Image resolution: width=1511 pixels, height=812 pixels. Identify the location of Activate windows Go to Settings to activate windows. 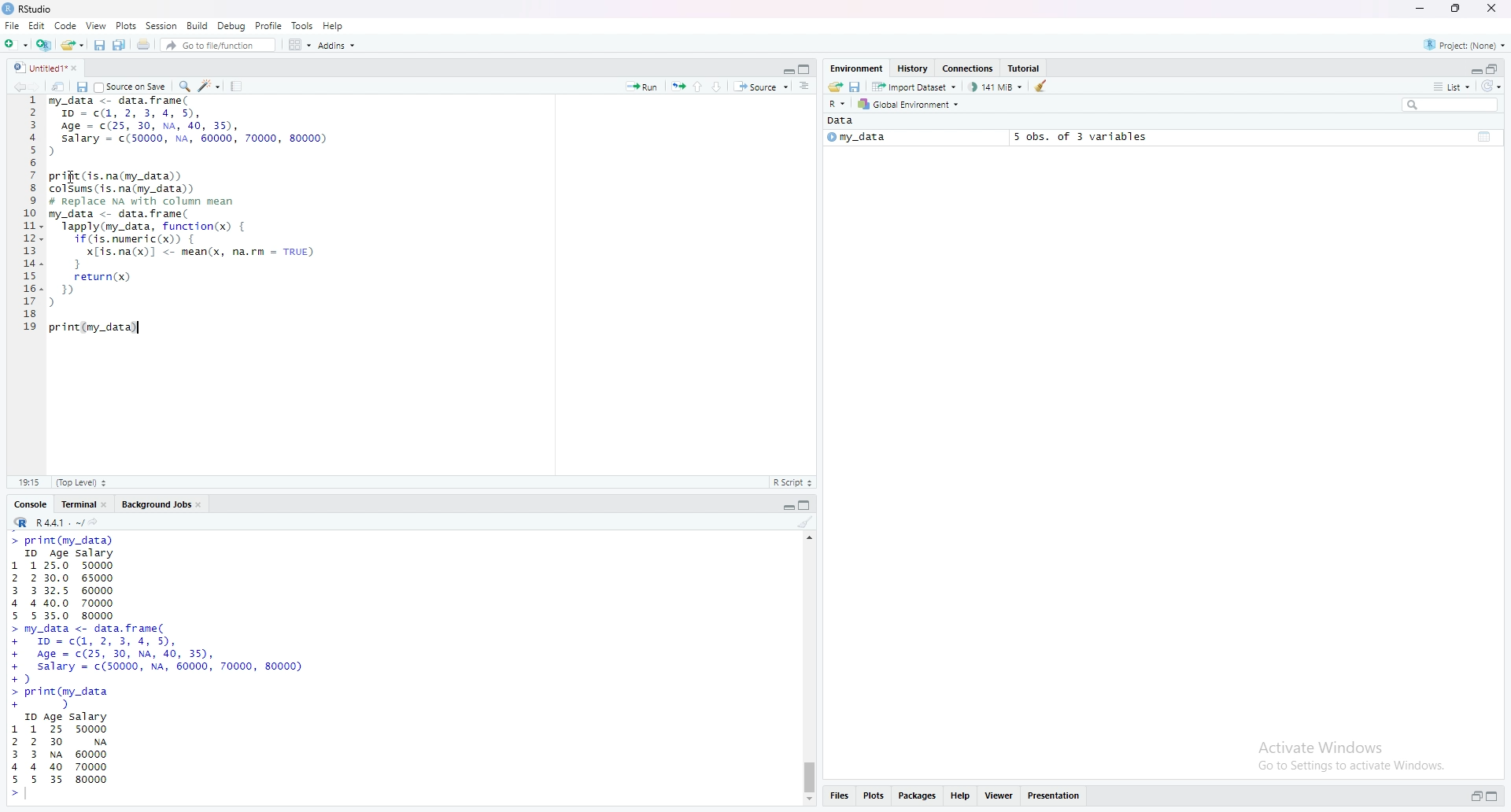
(1337, 755).